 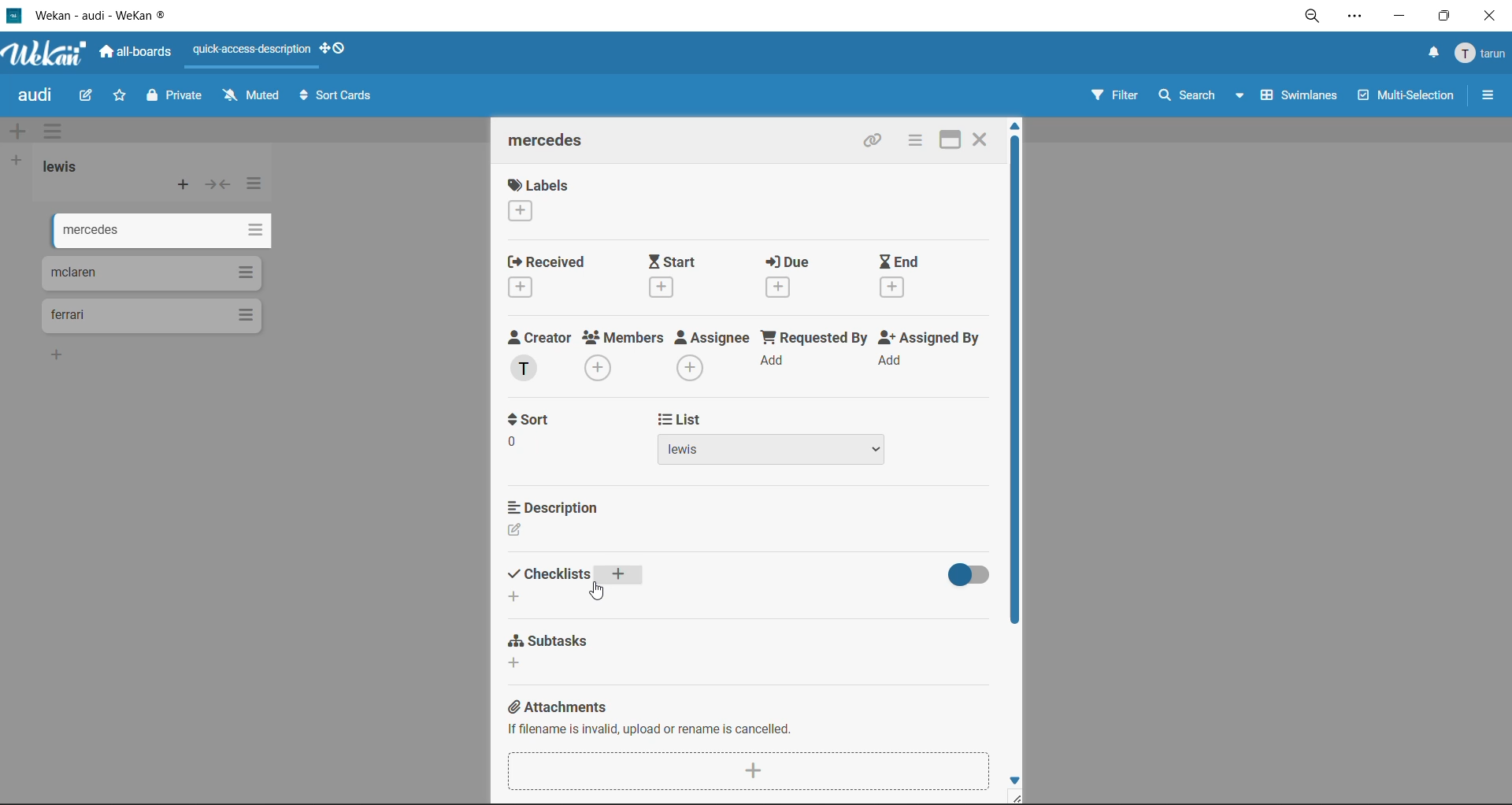 I want to click on swimlane actions, so click(x=57, y=133).